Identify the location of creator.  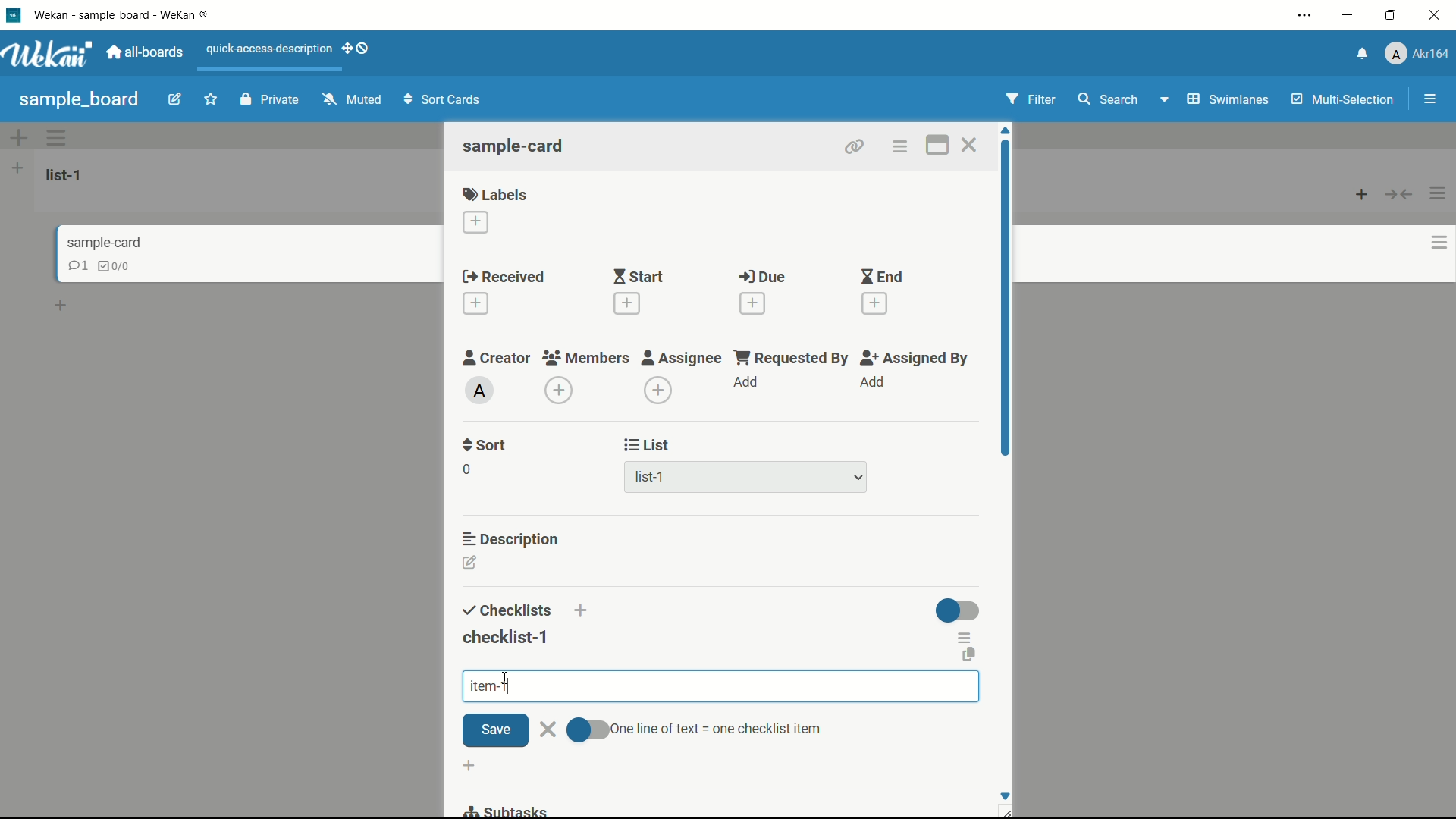
(494, 359).